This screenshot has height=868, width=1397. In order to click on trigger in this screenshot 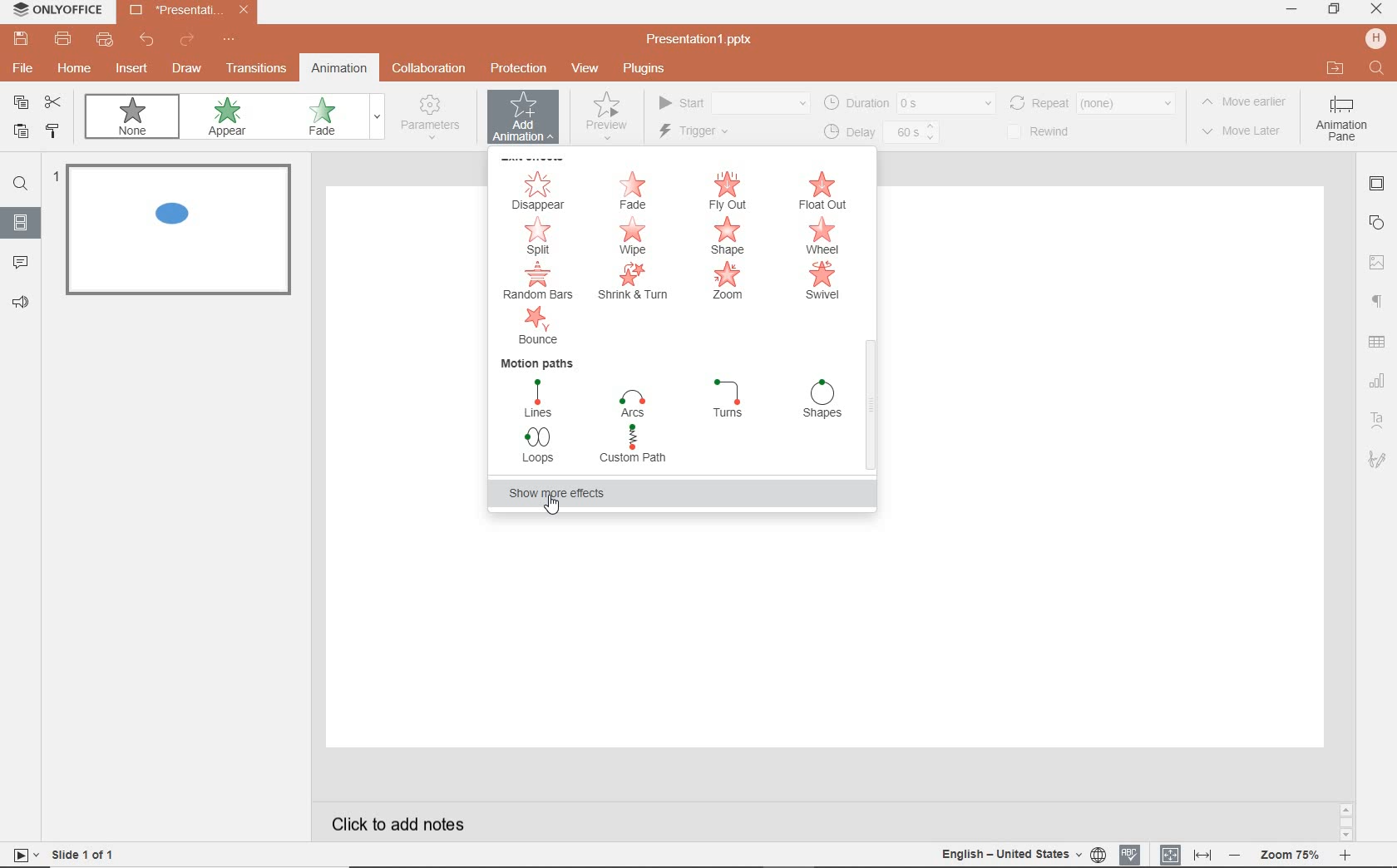, I will do `click(716, 133)`.